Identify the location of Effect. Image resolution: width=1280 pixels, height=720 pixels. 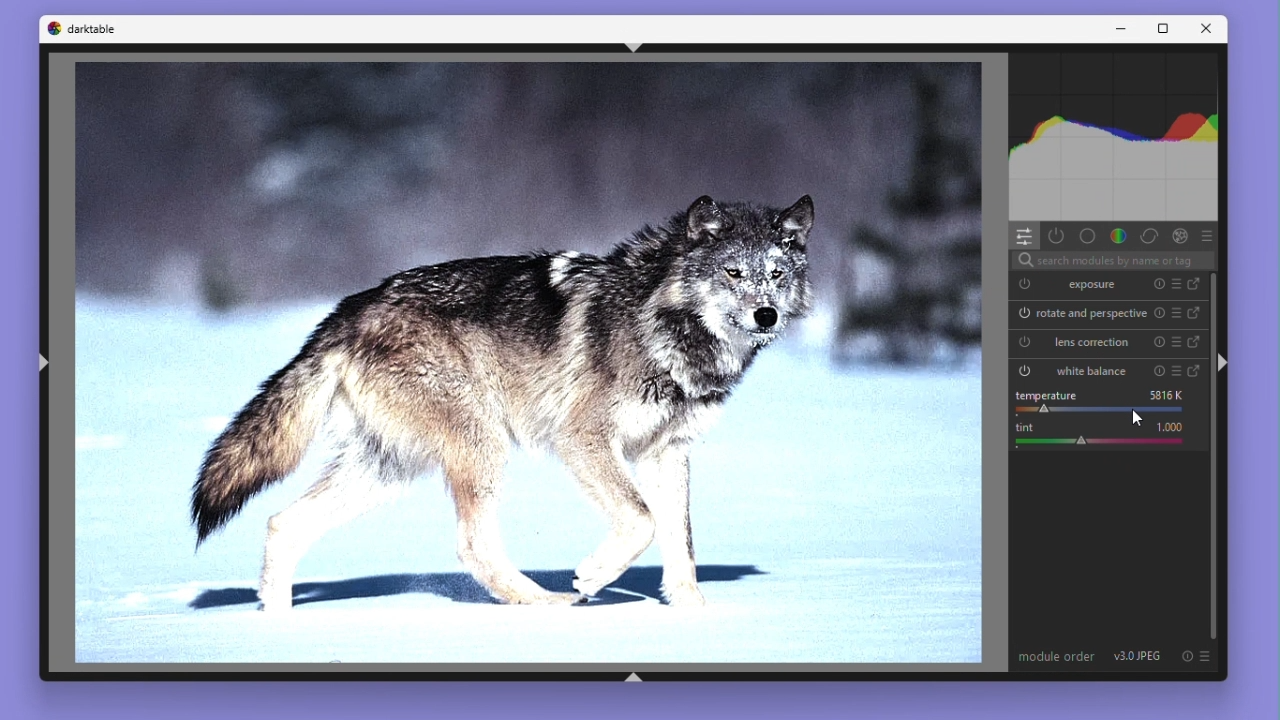
(1181, 235).